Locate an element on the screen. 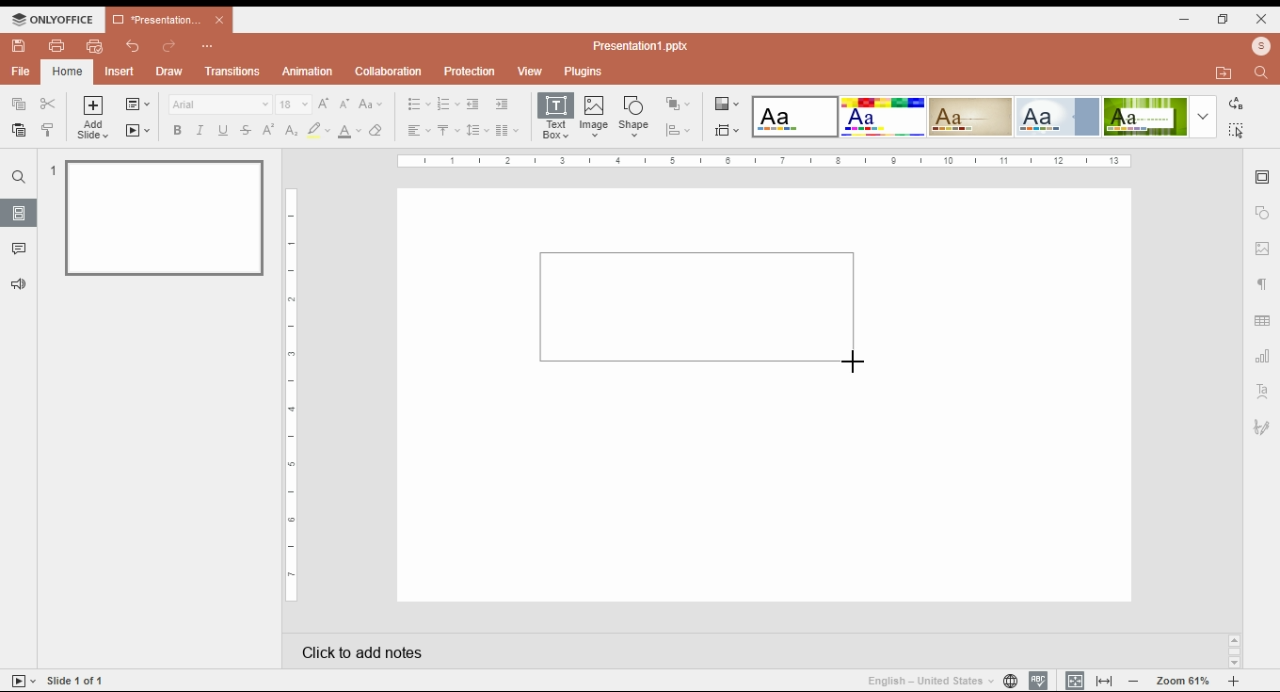 Image resolution: width=1280 pixels, height=692 pixels. home is located at coordinates (66, 71).